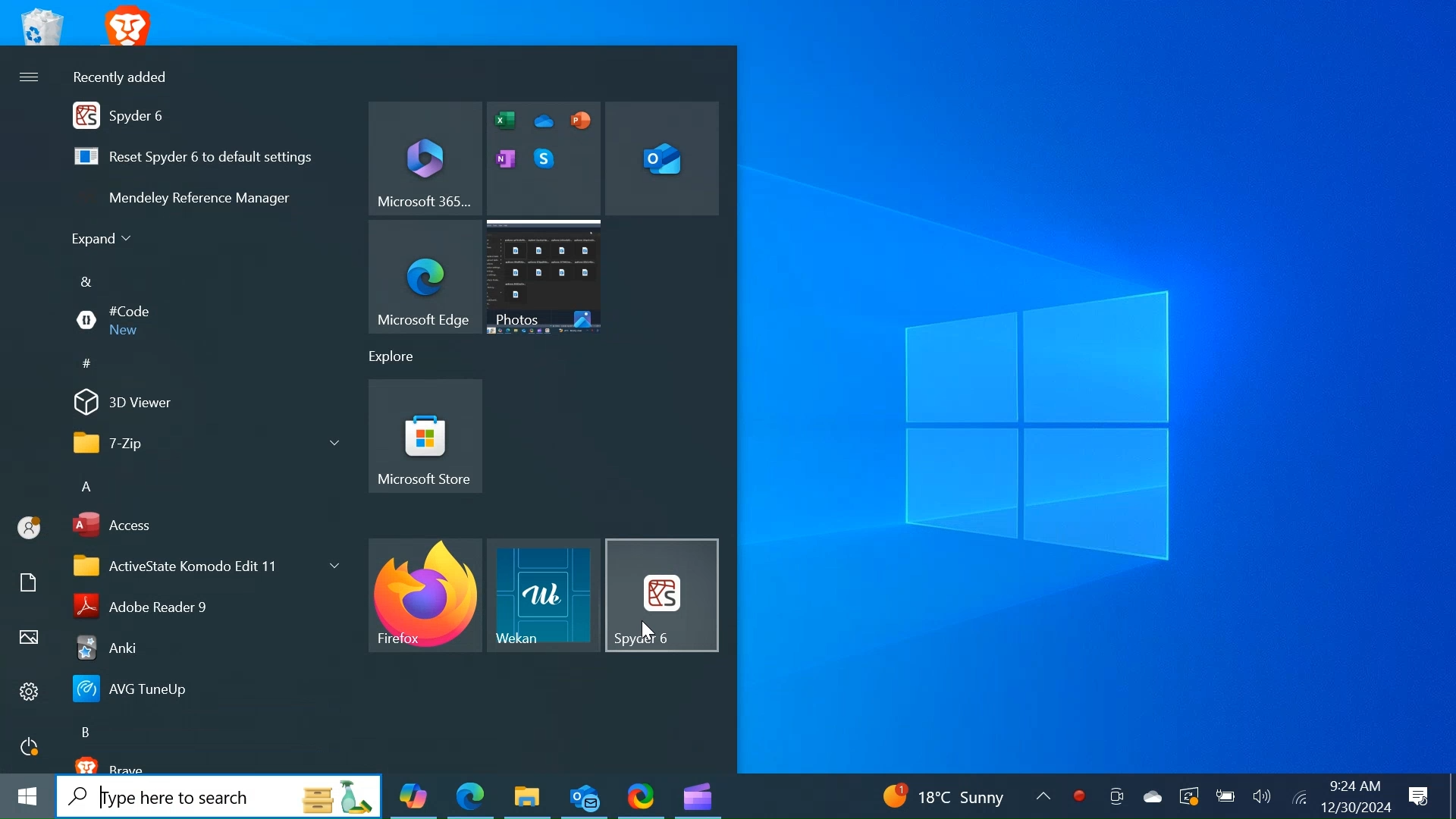  What do you see at coordinates (214, 764) in the screenshot?
I see `brave` at bounding box center [214, 764].